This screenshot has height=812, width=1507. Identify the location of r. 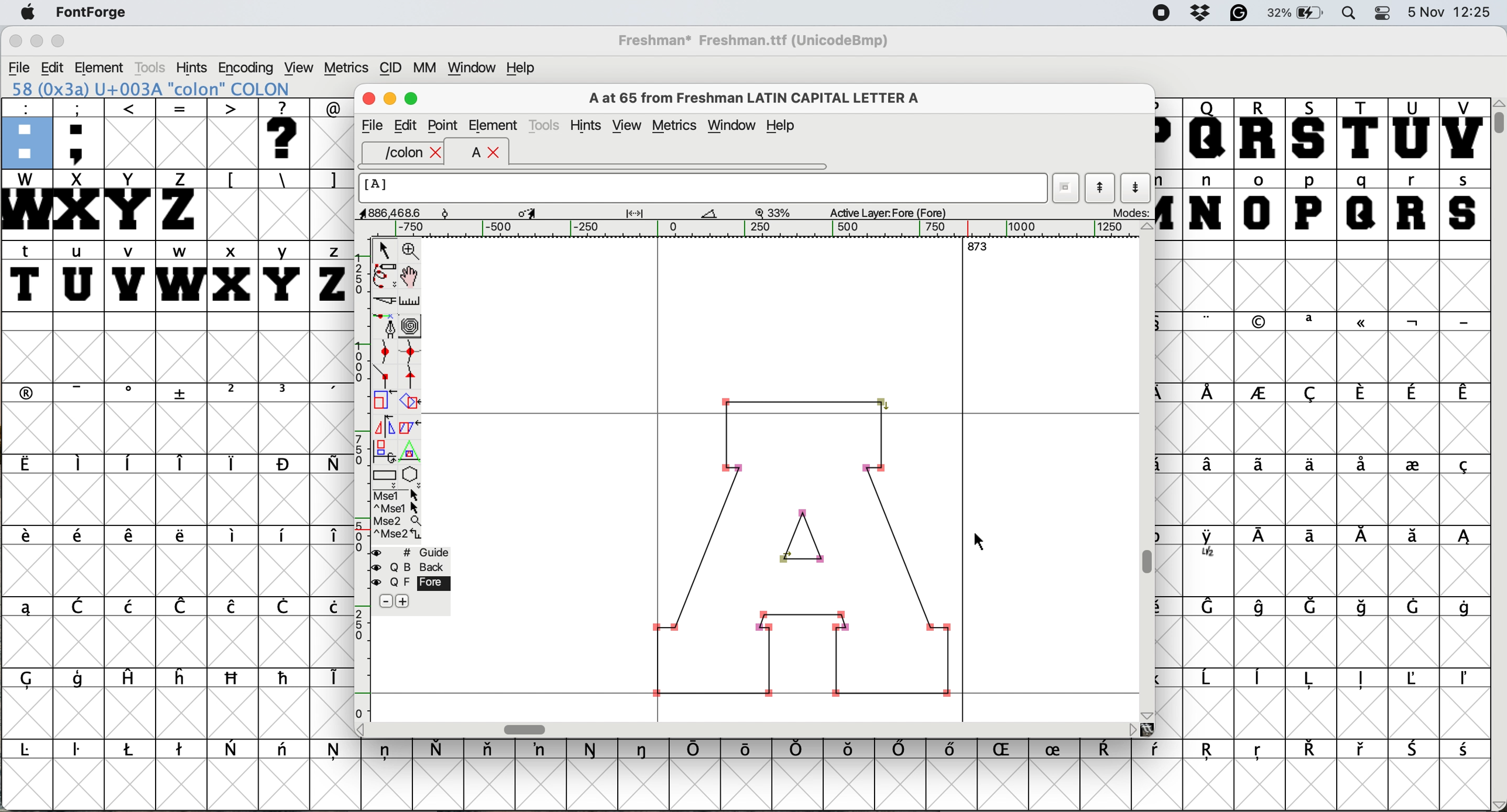
(1414, 205).